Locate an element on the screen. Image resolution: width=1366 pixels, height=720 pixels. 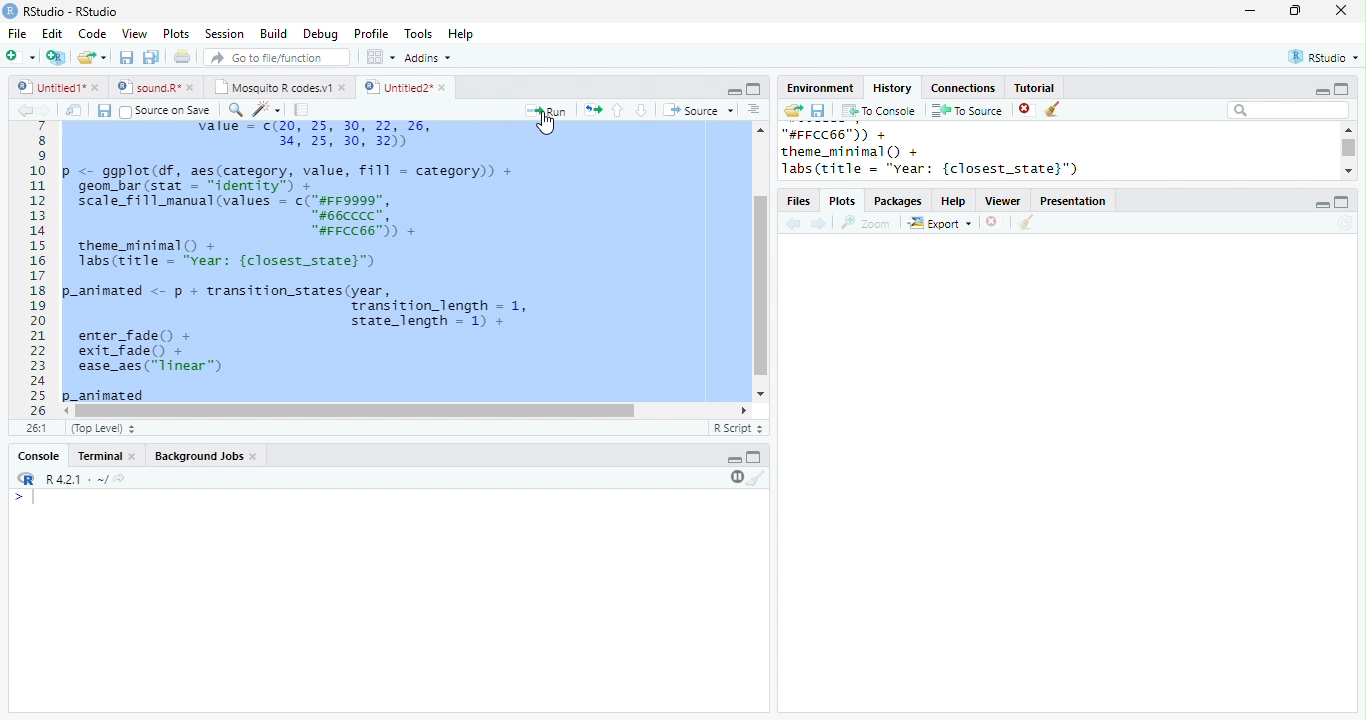
scroll bar is located at coordinates (1349, 147).